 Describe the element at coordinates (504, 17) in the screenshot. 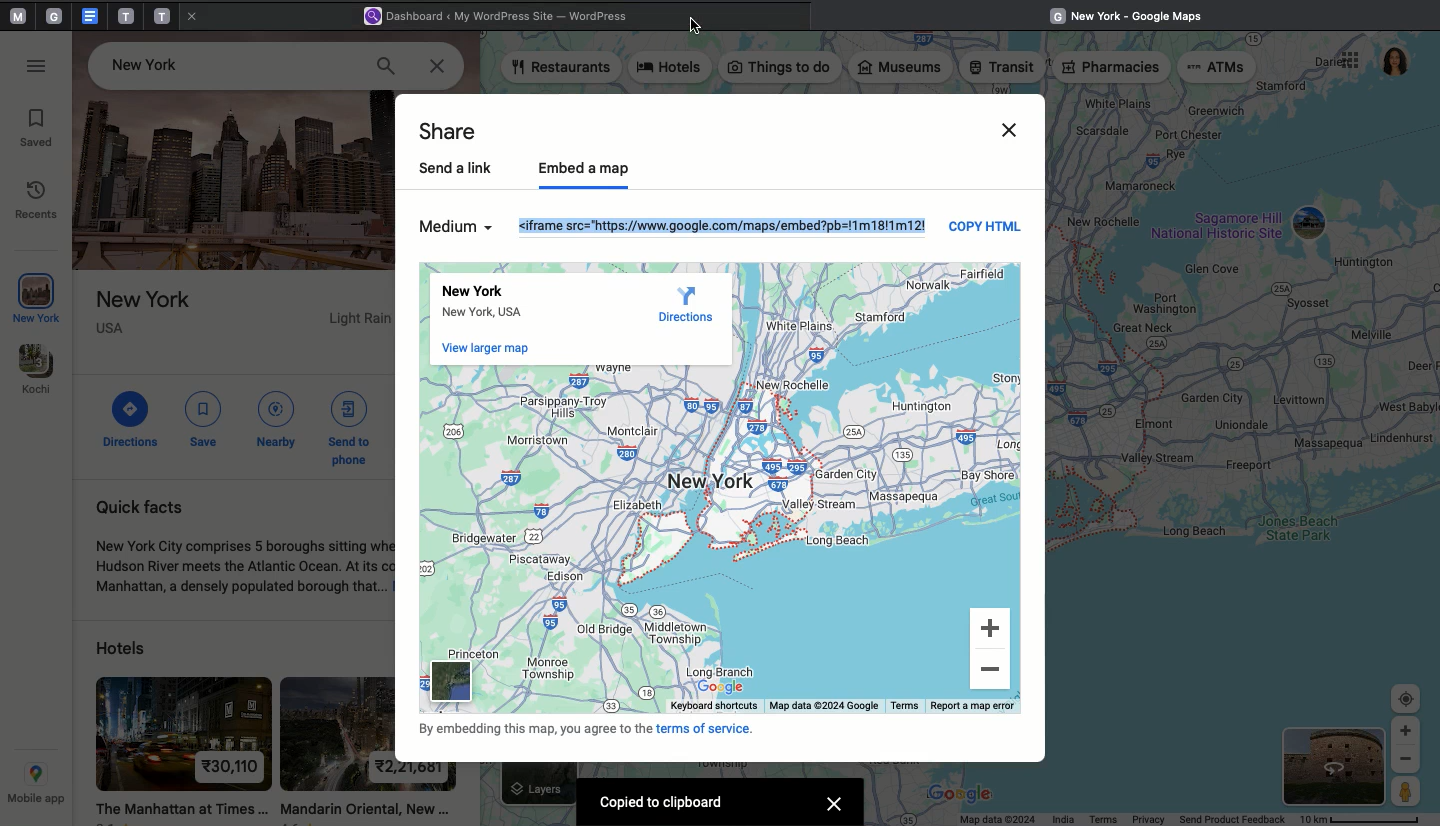

I see `Wordpress` at that location.